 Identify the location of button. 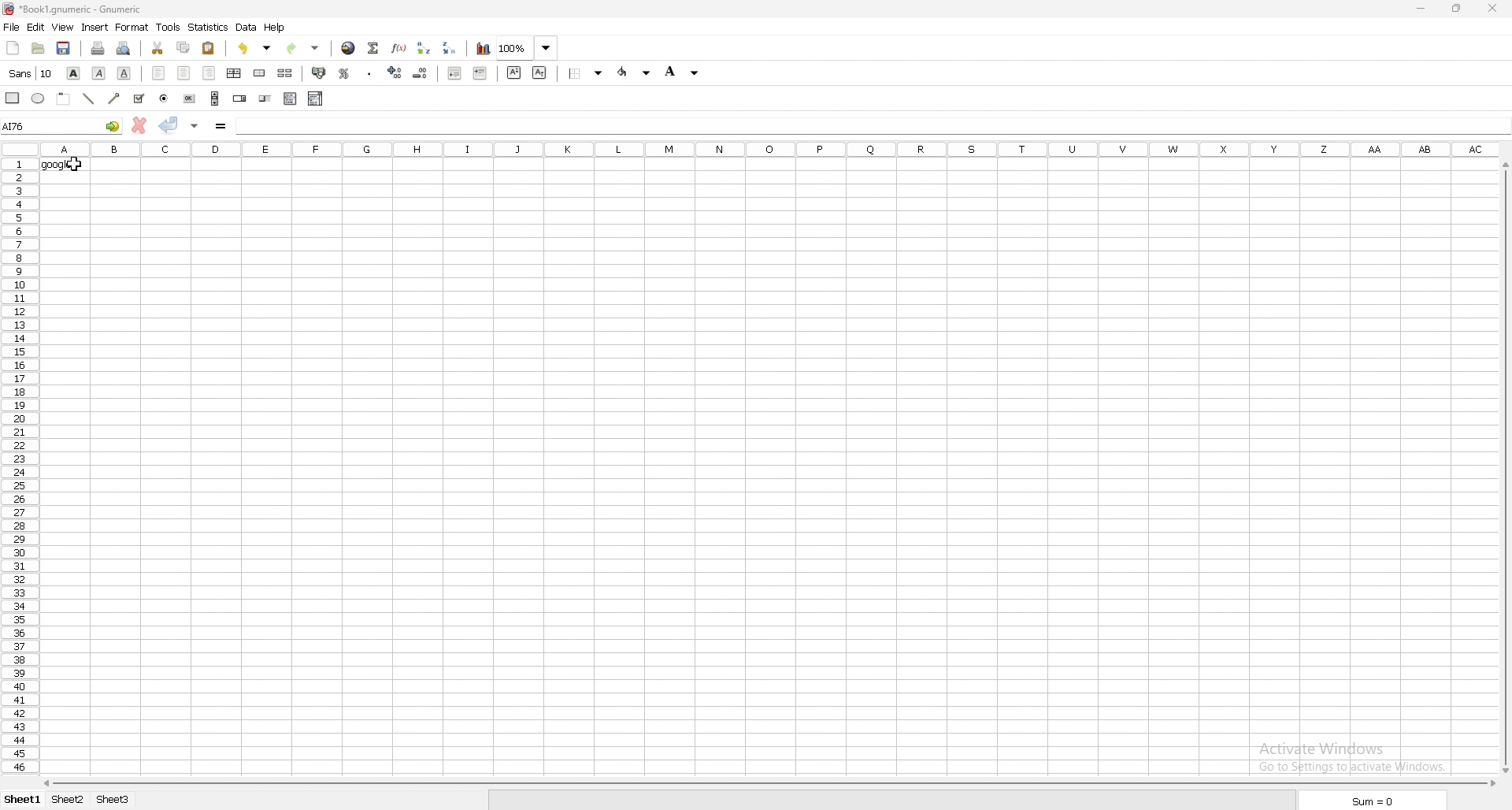
(191, 98).